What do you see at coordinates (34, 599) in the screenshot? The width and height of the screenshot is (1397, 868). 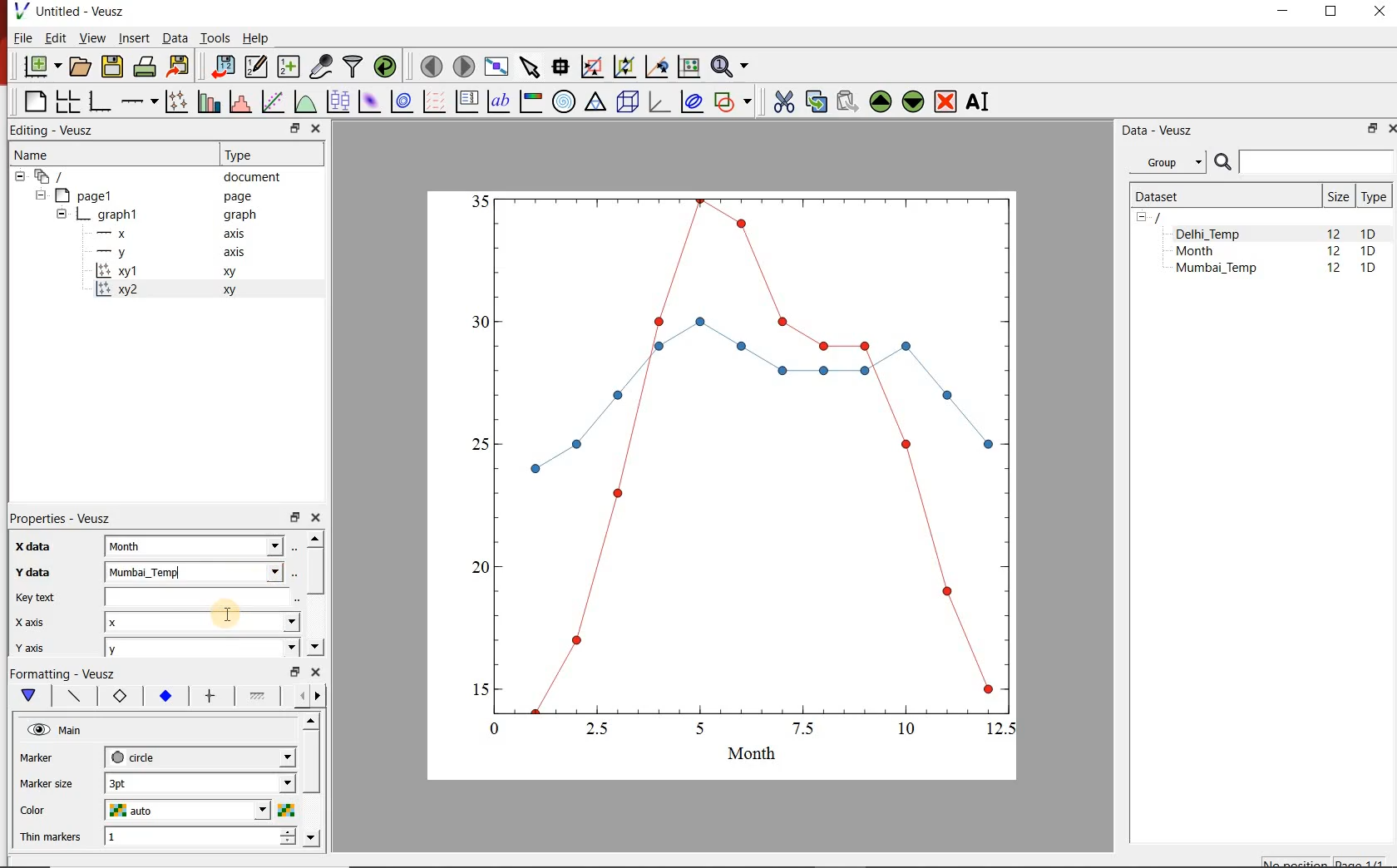 I see `Key text` at bounding box center [34, 599].